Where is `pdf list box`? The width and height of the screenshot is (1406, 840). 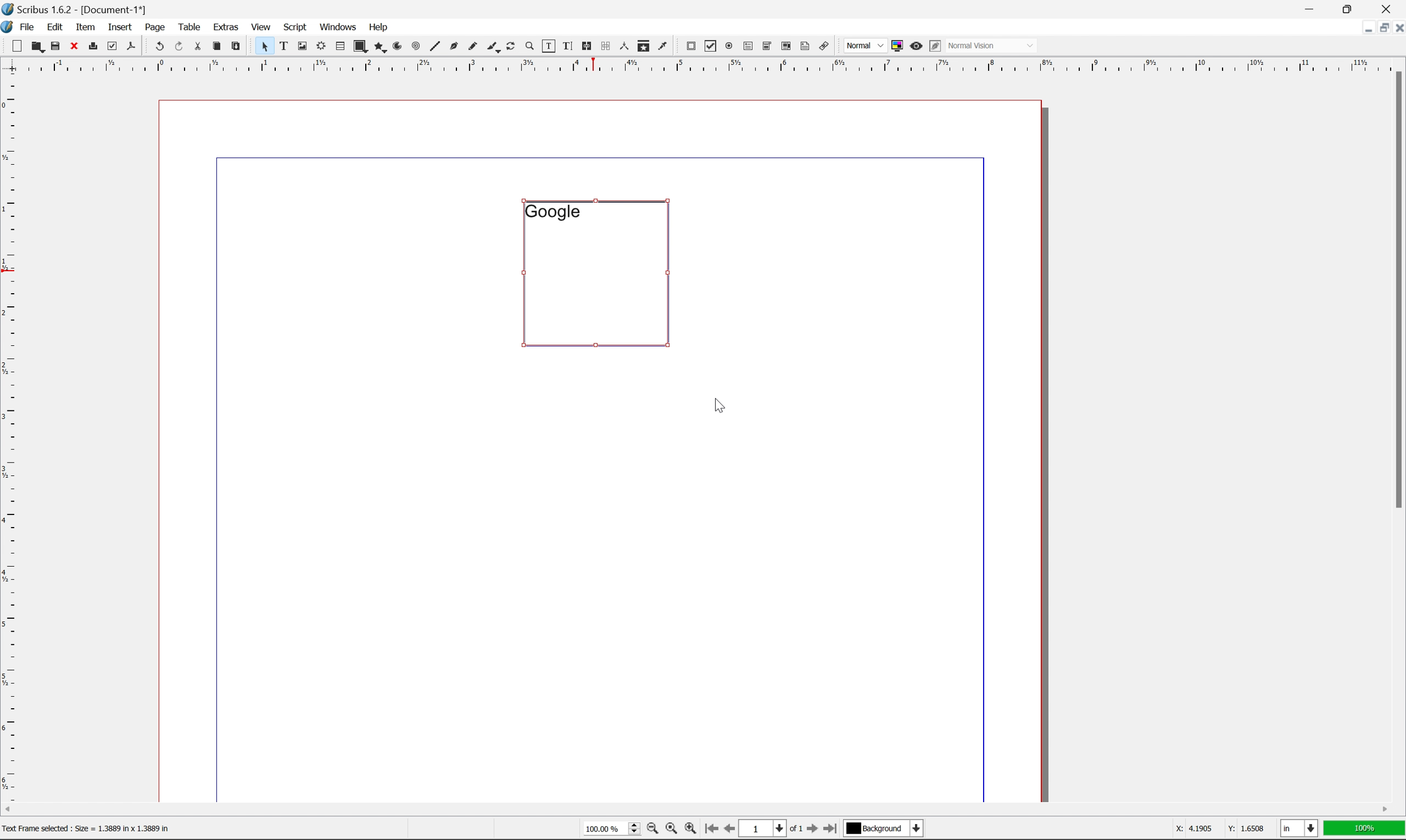
pdf list box is located at coordinates (785, 48).